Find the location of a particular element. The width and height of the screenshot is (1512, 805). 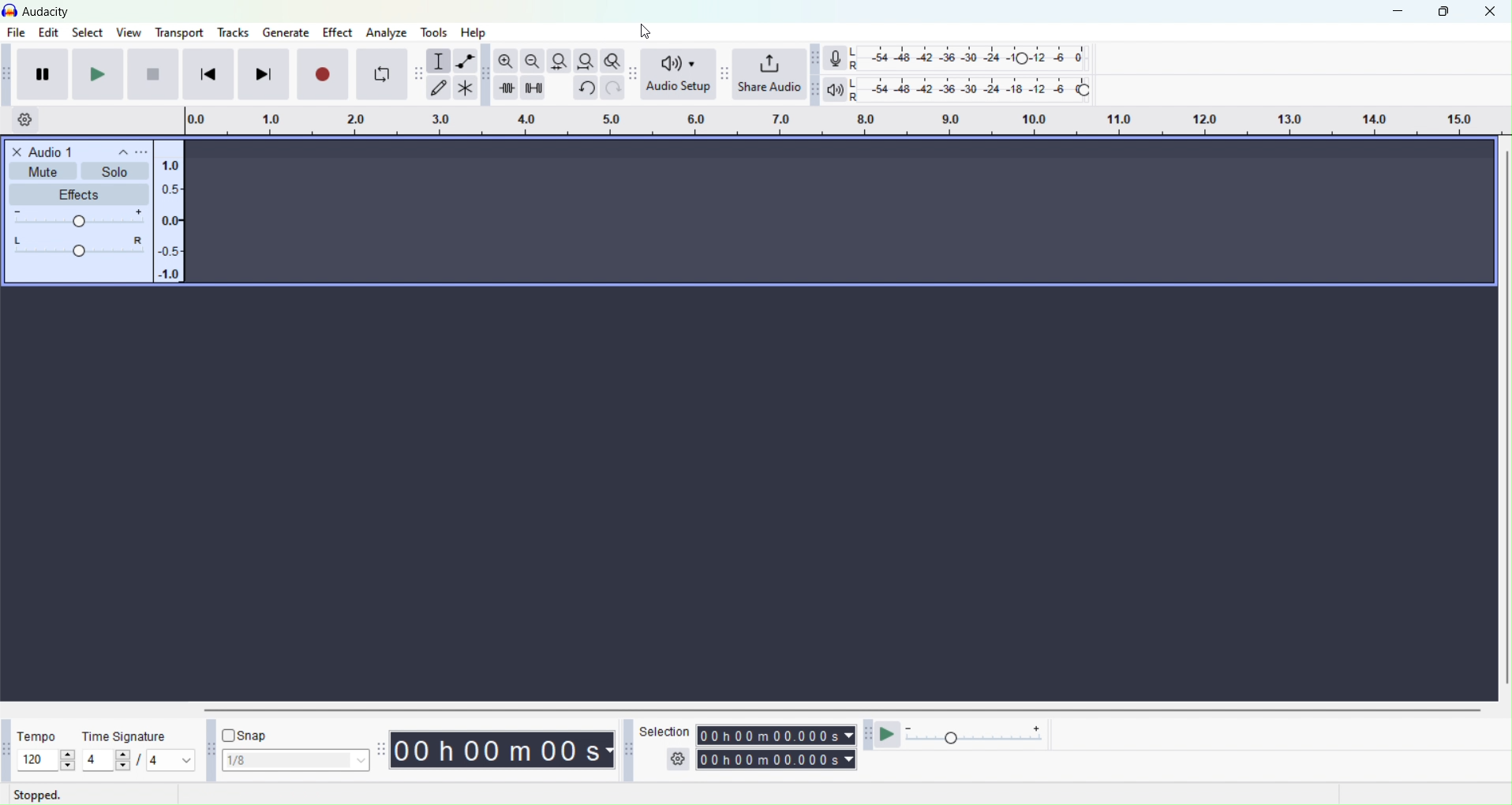

File is located at coordinates (17, 33).